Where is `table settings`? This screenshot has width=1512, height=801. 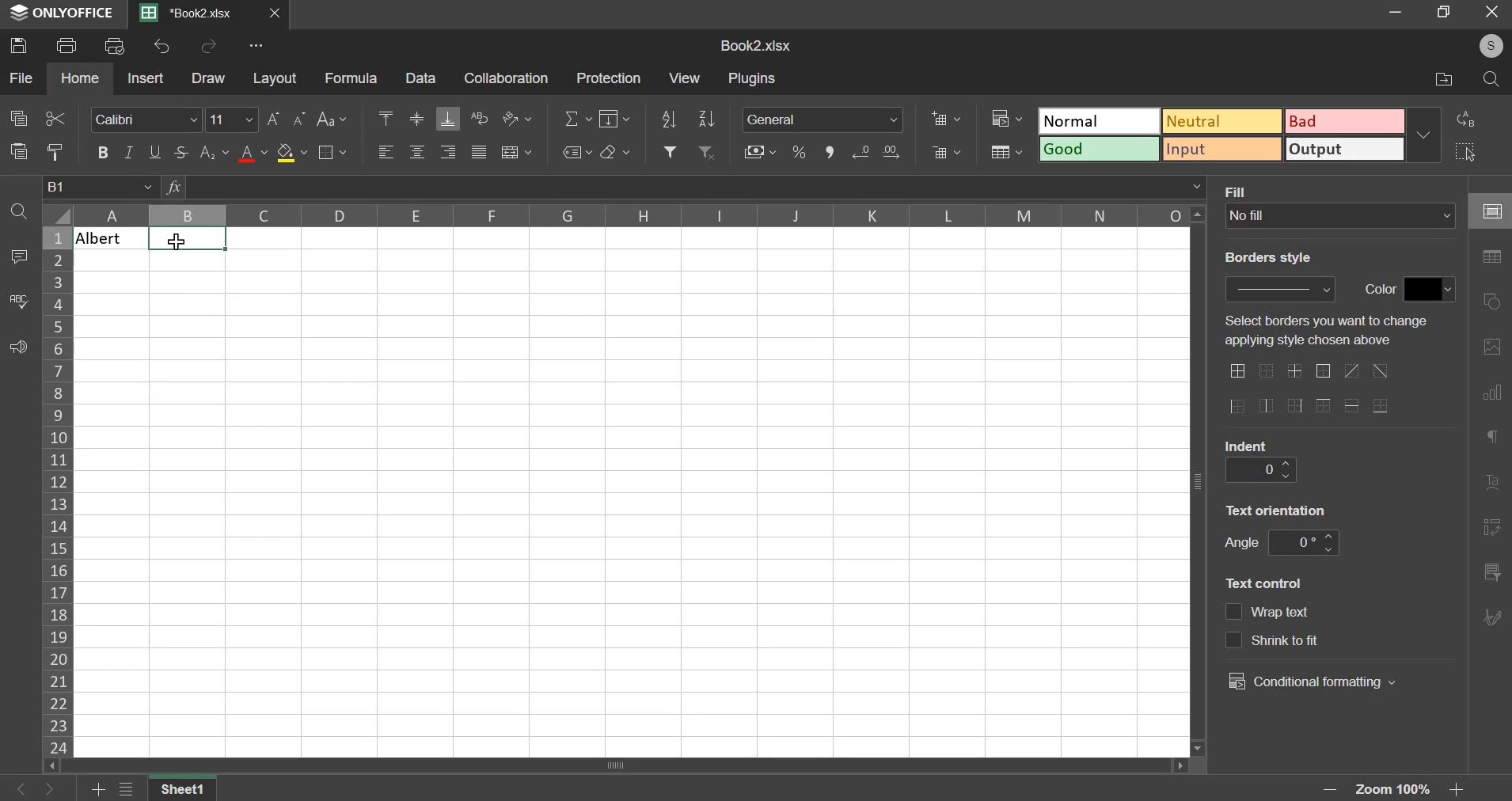 table settings is located at coordinates (1493, 257).